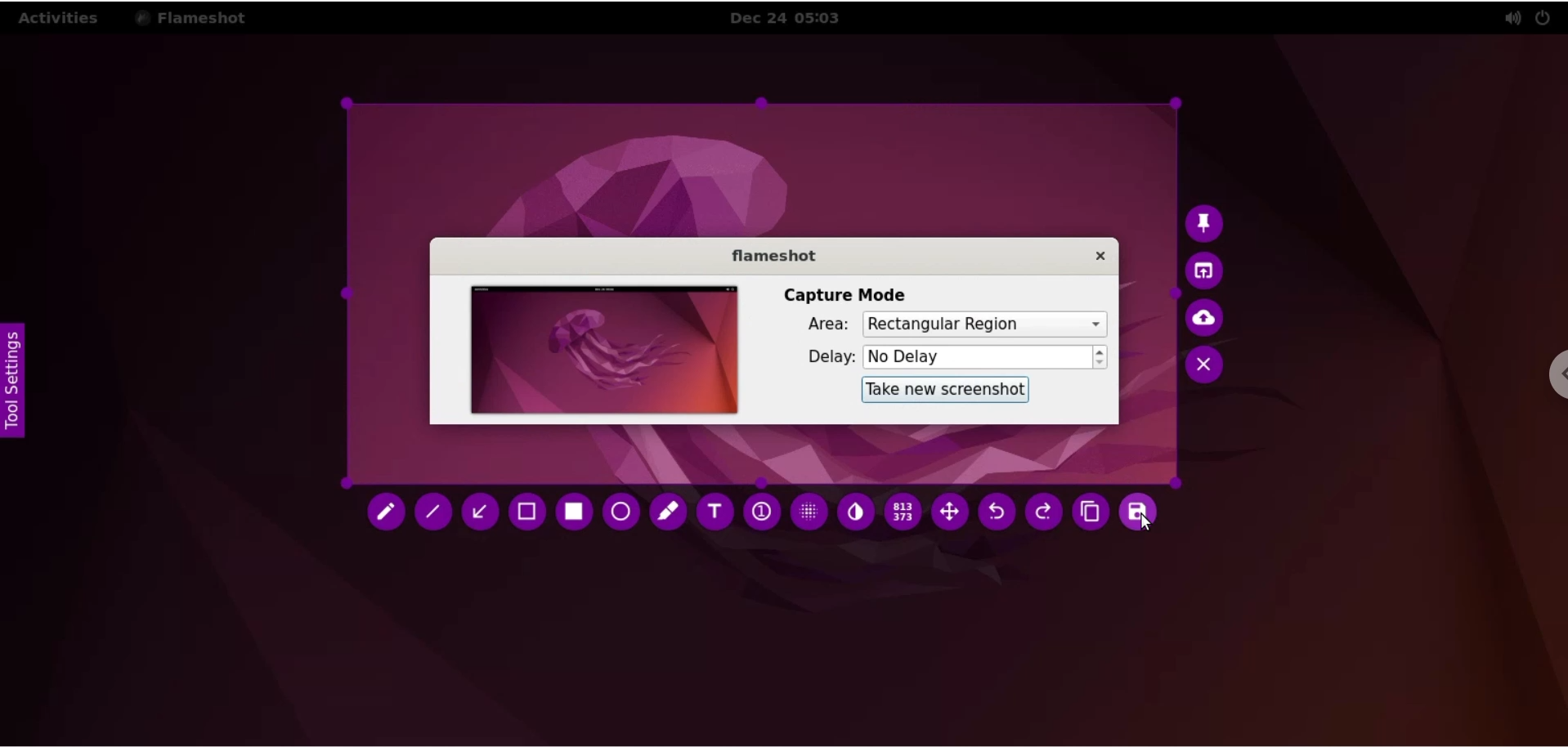 The width and height of the screenshot is (1568, 747). I want to click on x and y coordinates, so click(906, 512).